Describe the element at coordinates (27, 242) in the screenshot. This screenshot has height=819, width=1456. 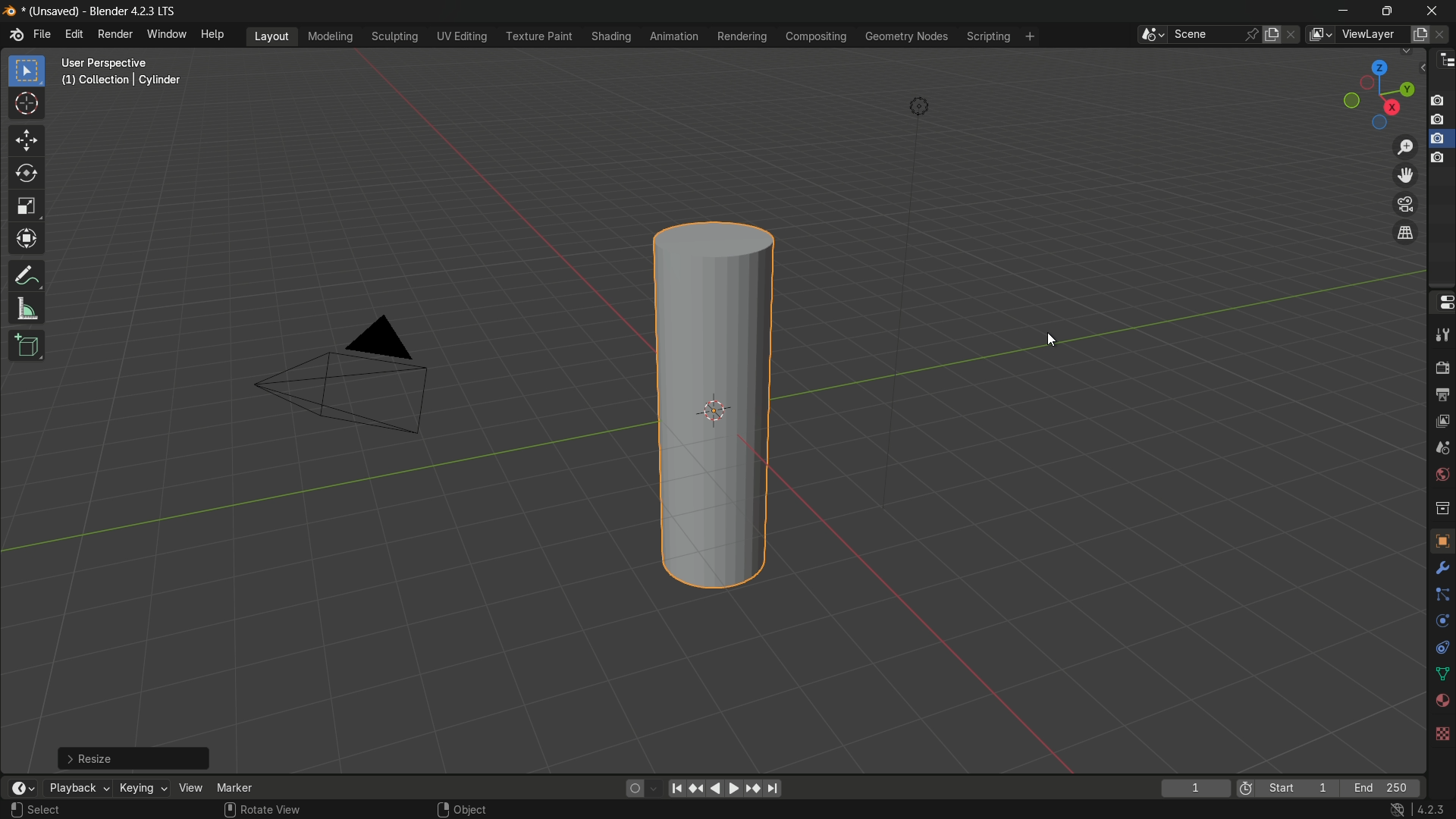
I see `transform` at that location.